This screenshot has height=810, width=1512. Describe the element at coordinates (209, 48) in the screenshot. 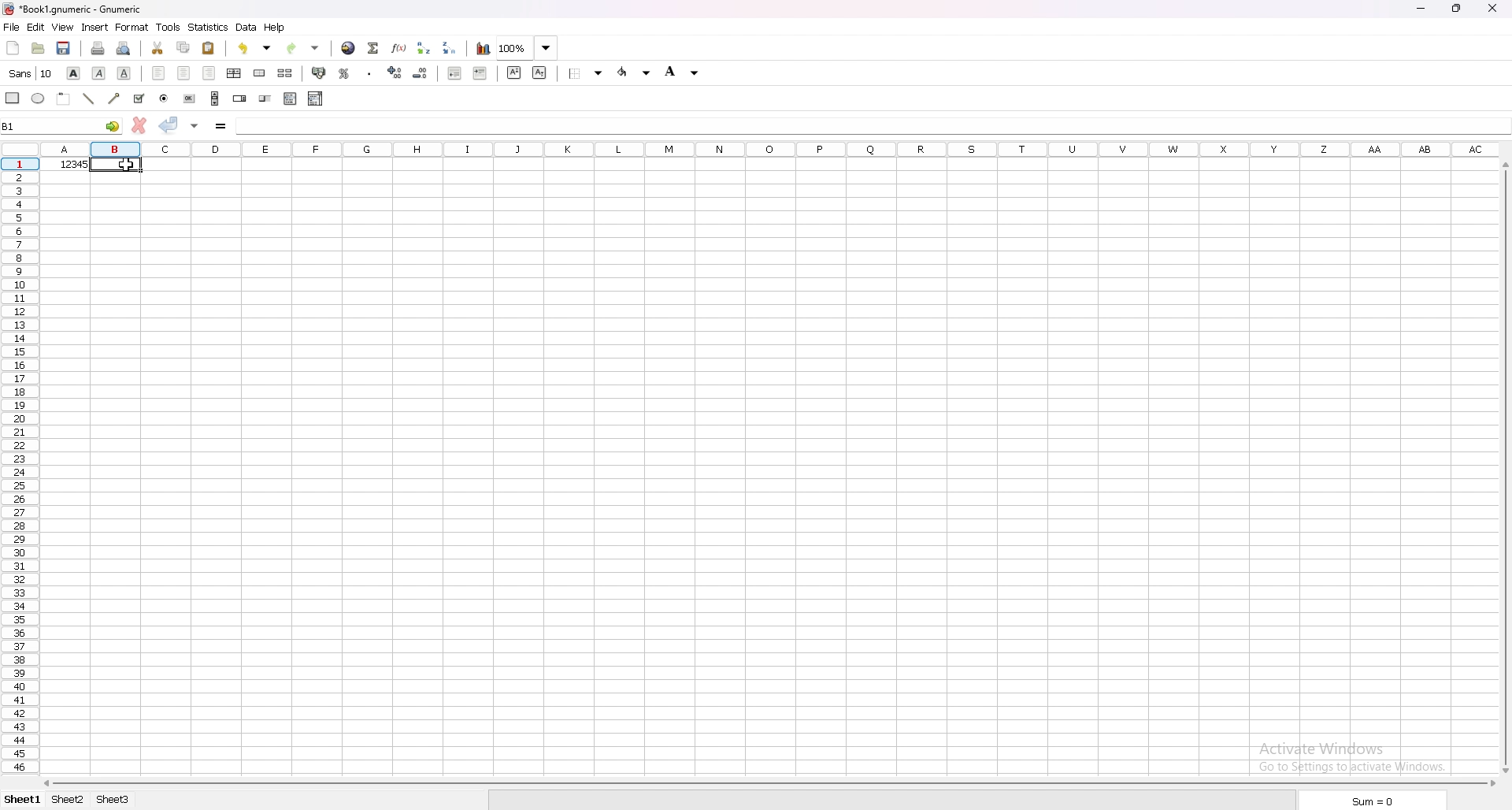

I see `paste` at that location.